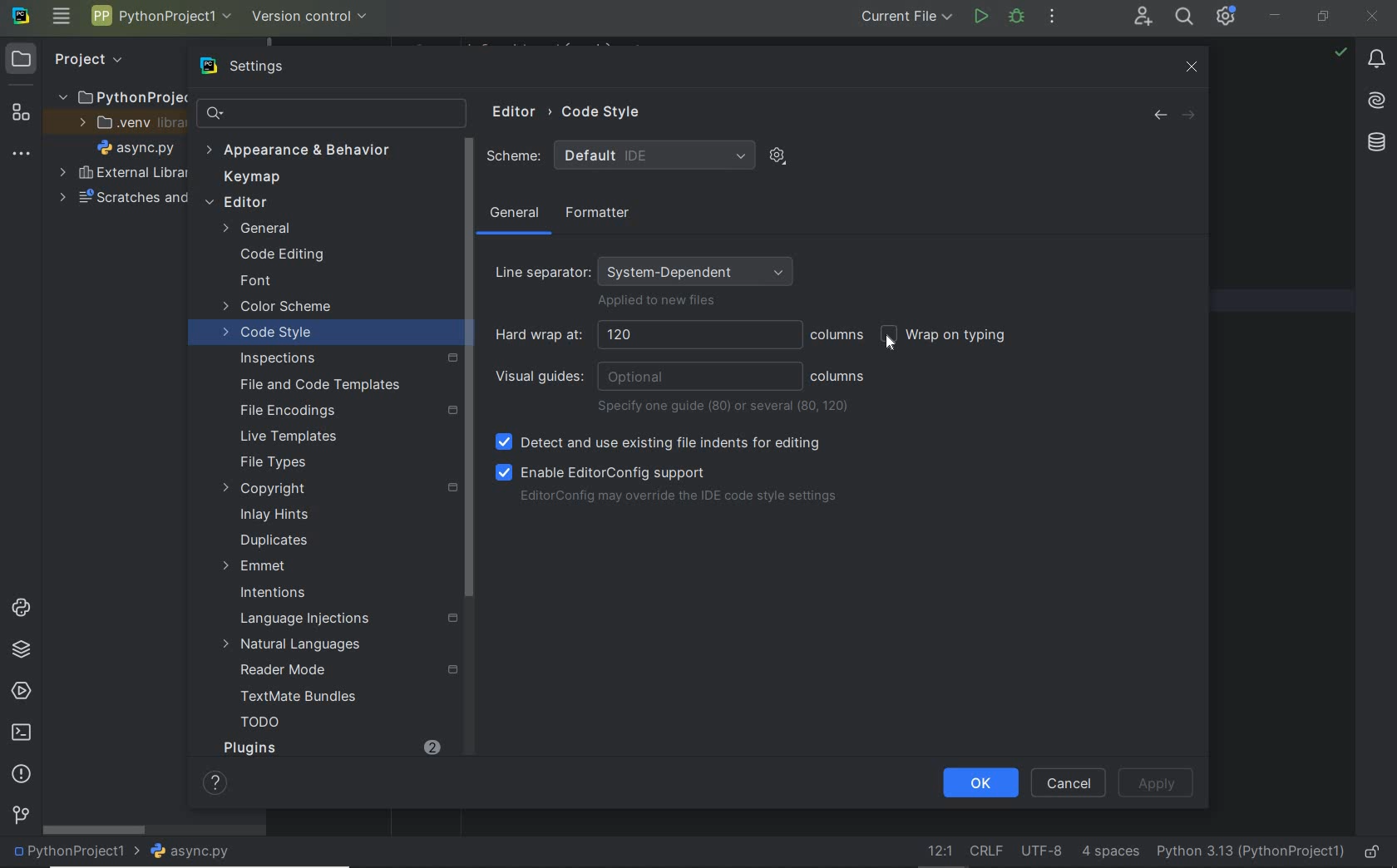  Describe the element at coordinates (620, 155) in the screenshot. I see `Scheme` at that location.